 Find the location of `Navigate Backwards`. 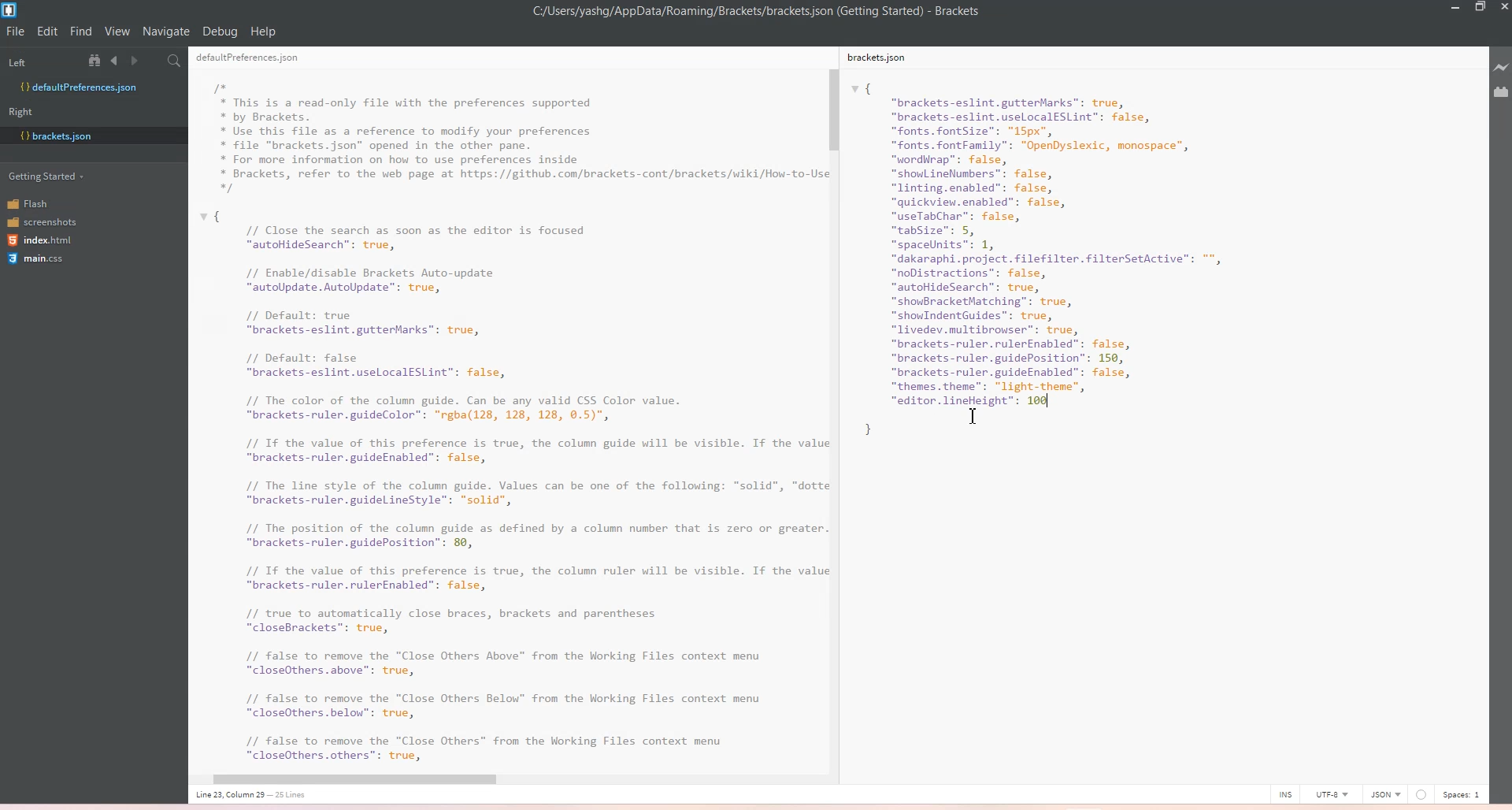

Navigate Backwards is located at coordinates (117, 61).